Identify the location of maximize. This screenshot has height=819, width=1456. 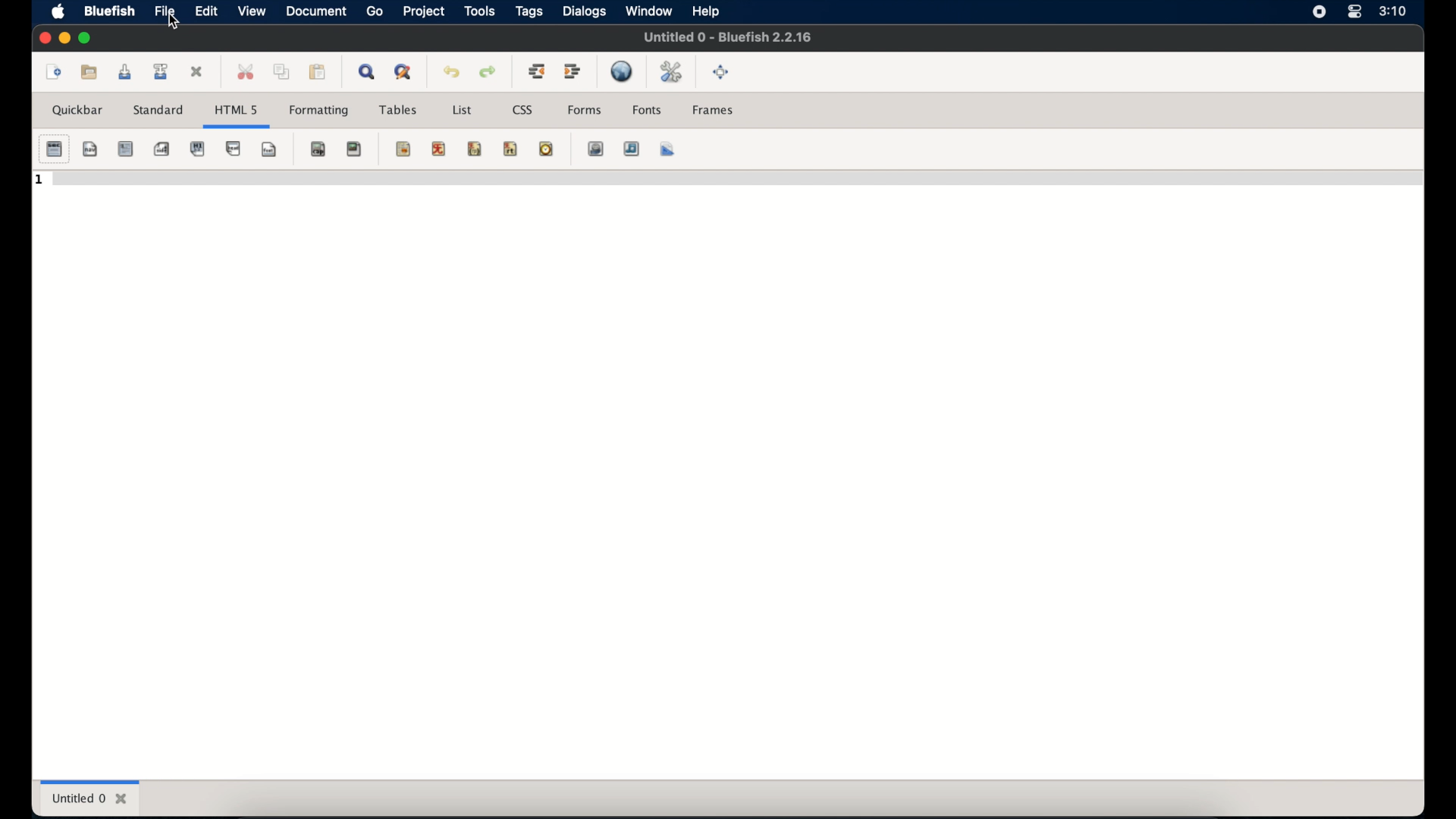
(86, 38).